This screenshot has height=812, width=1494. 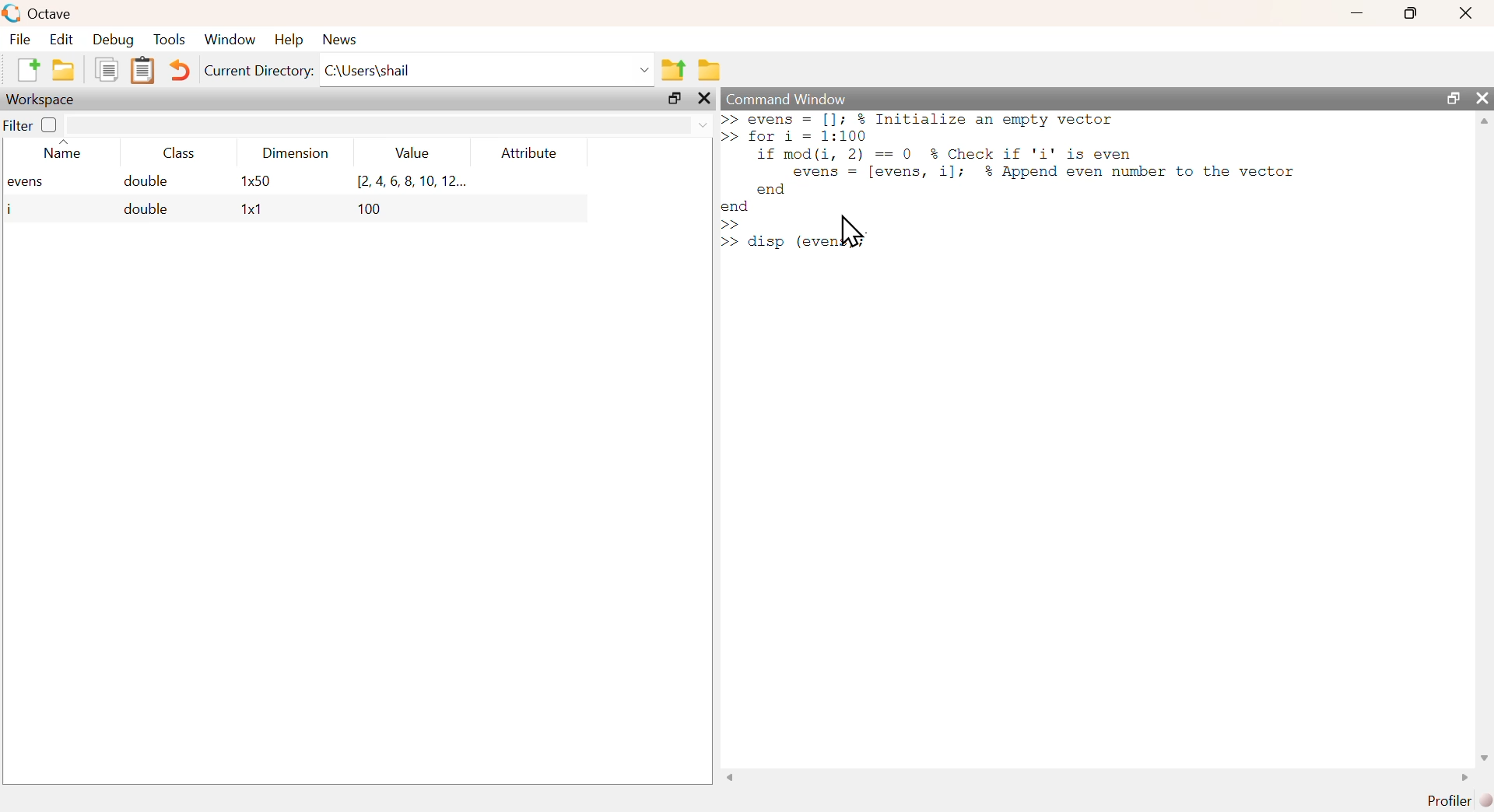 What do you see at coordinates (704, 100) in the screenshot?
I see `close` at bounding box center [704, 100].